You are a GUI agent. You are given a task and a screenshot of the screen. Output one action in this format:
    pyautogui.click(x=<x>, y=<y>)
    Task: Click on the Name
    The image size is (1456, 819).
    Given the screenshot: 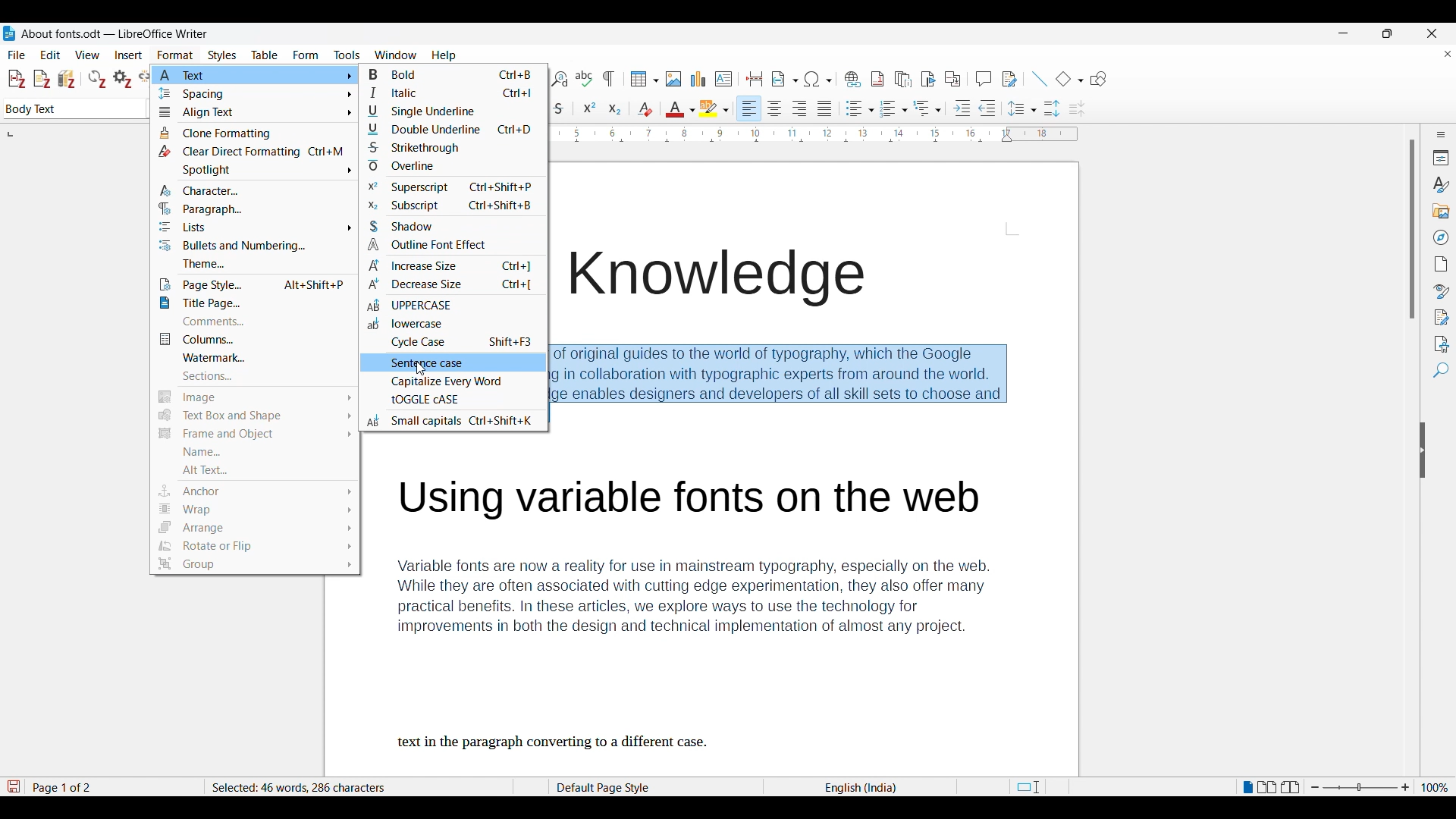 What is the action you would take?
    pyautogui.click(x=253, y=454)
    